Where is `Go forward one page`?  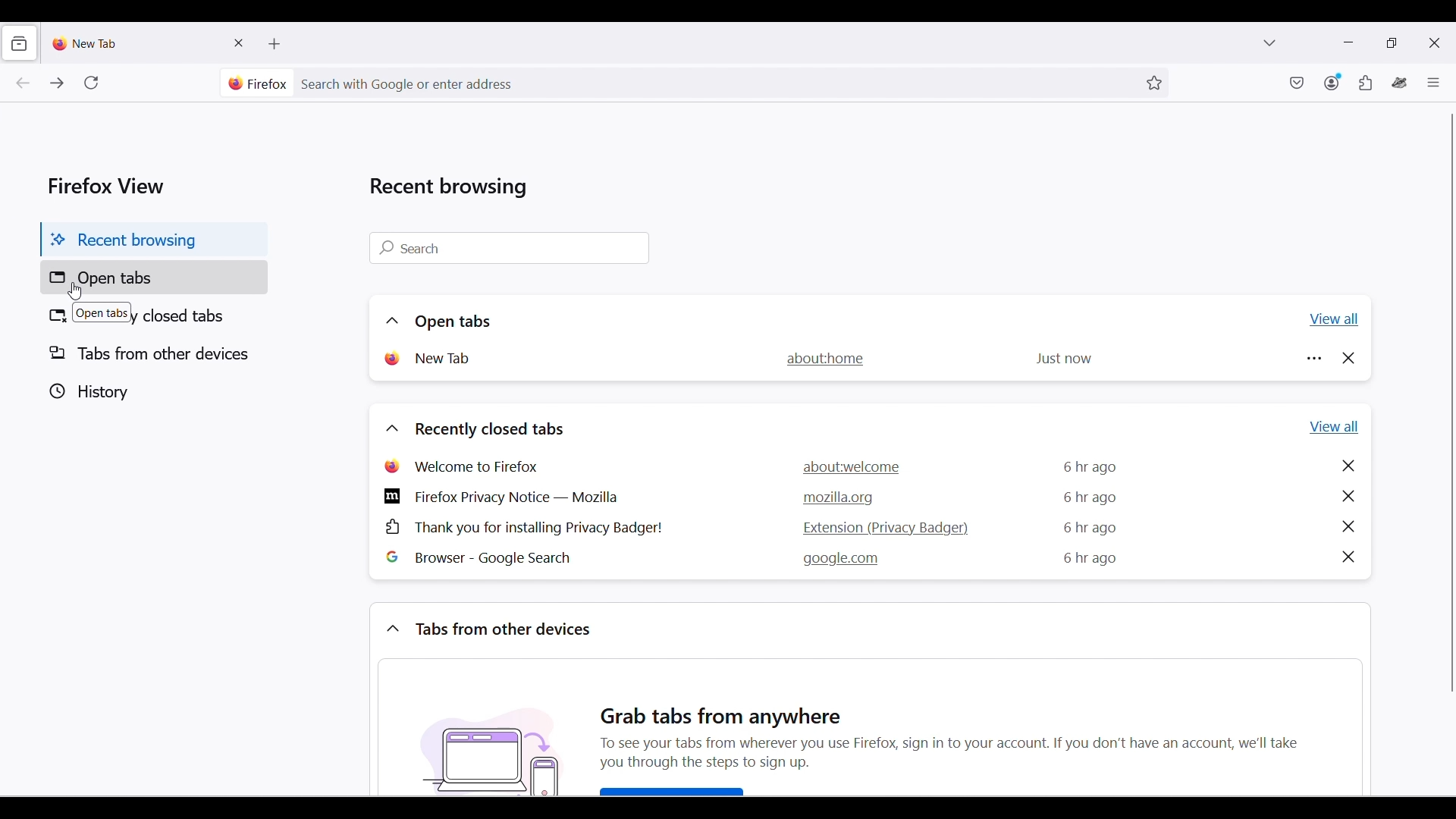 Go forward one page is located at coordinates (55, 83).